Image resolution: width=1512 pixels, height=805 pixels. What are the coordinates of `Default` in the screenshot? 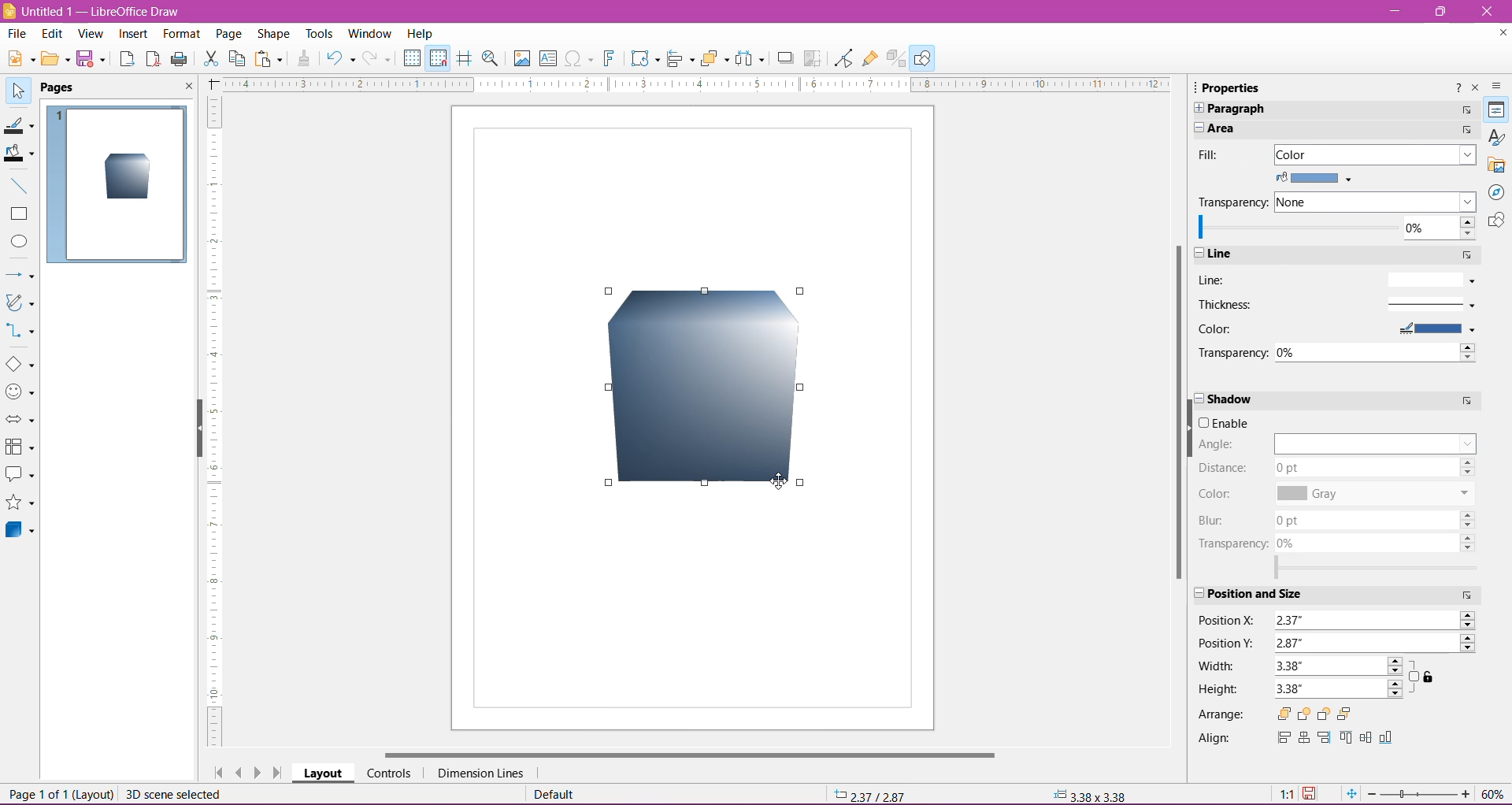 It's located at (558, 794).